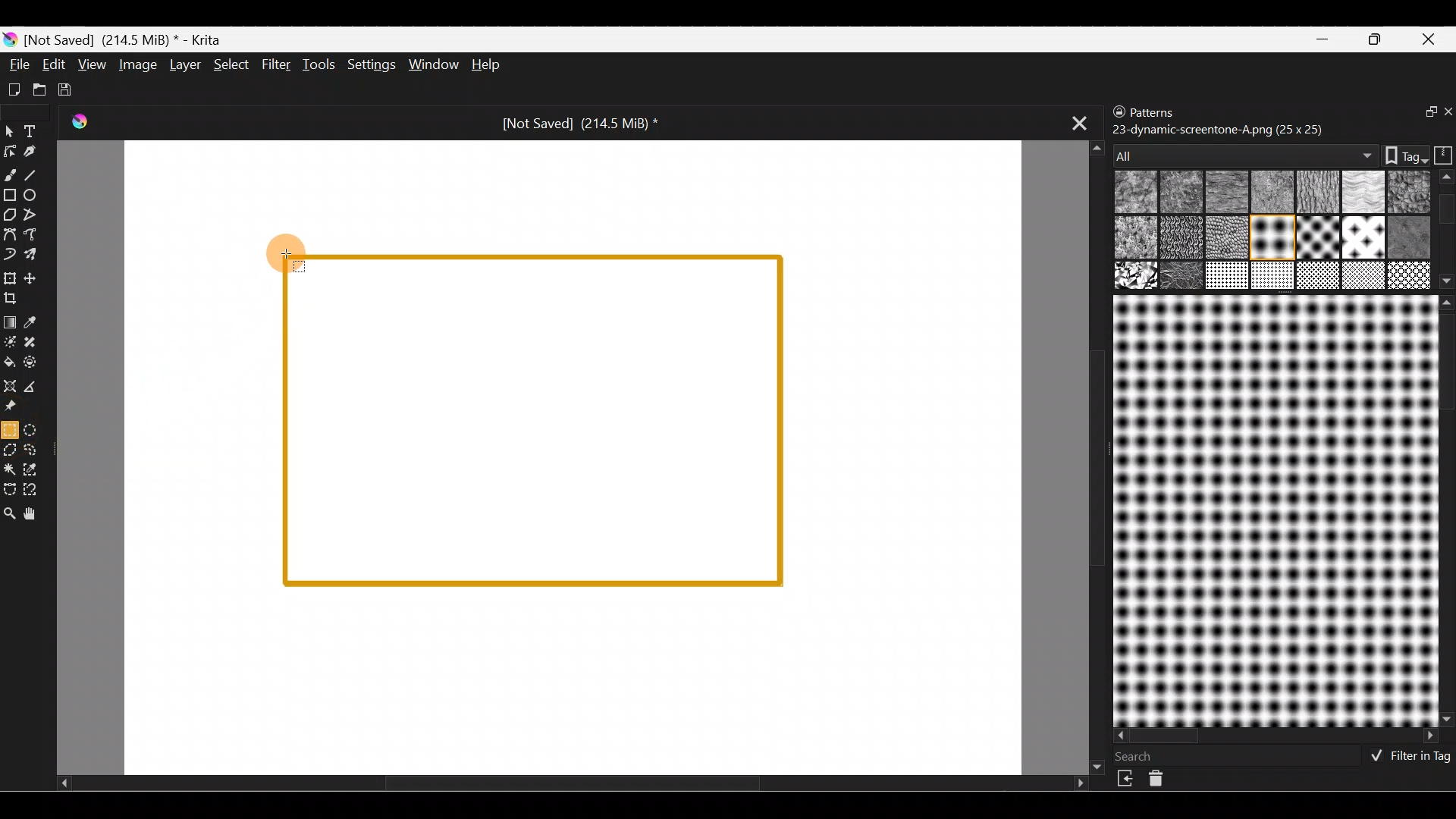 The image size is (1456, 819). What do you see at coordinates (1270, 240) in the screenshot?
I see `10 drawed_dotted.png` at bounding box center [1270, 240].